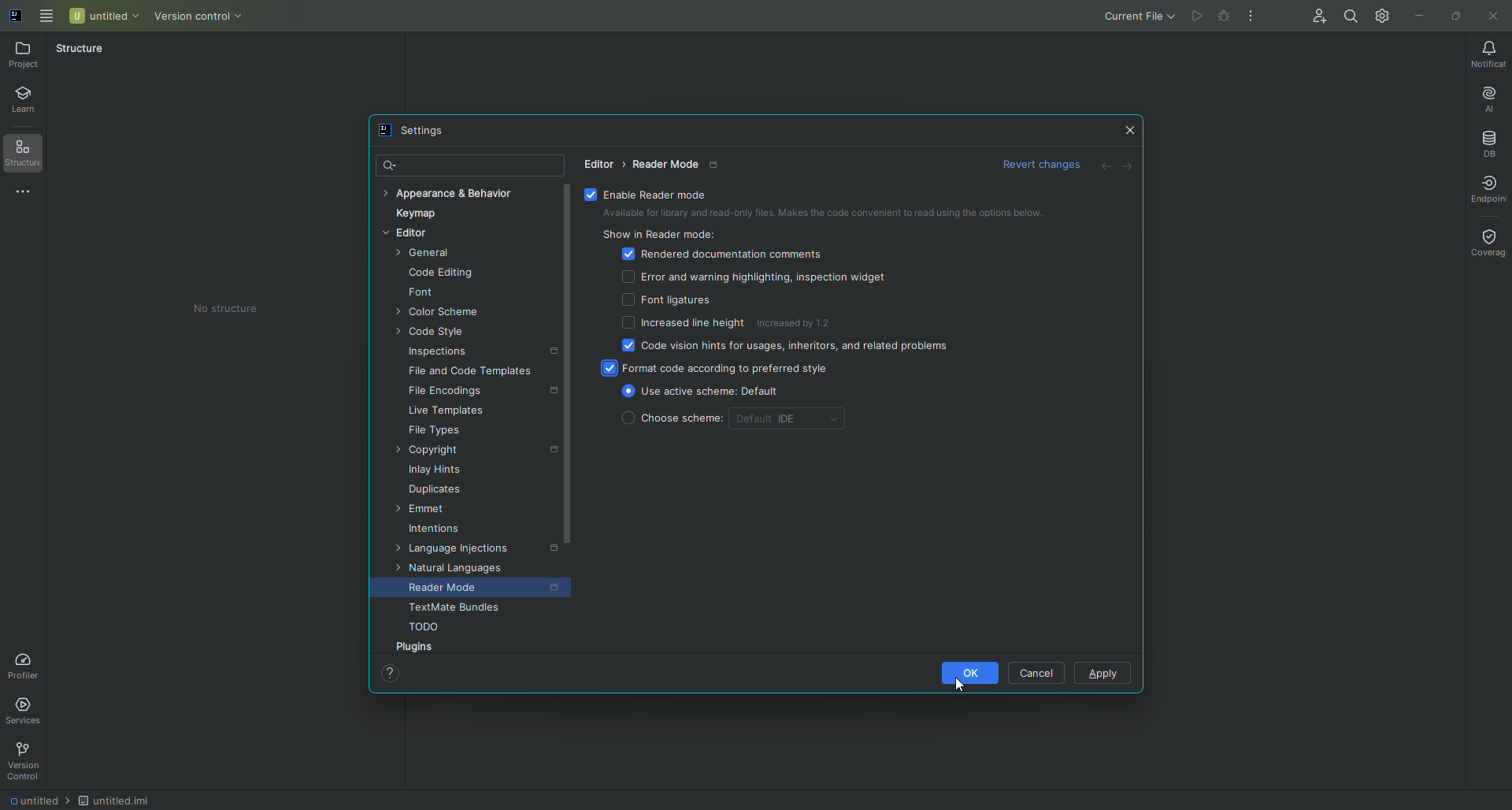  Describe the element at coordinates (754, 278) in the screenshot. I see `Error and warning` at that location.